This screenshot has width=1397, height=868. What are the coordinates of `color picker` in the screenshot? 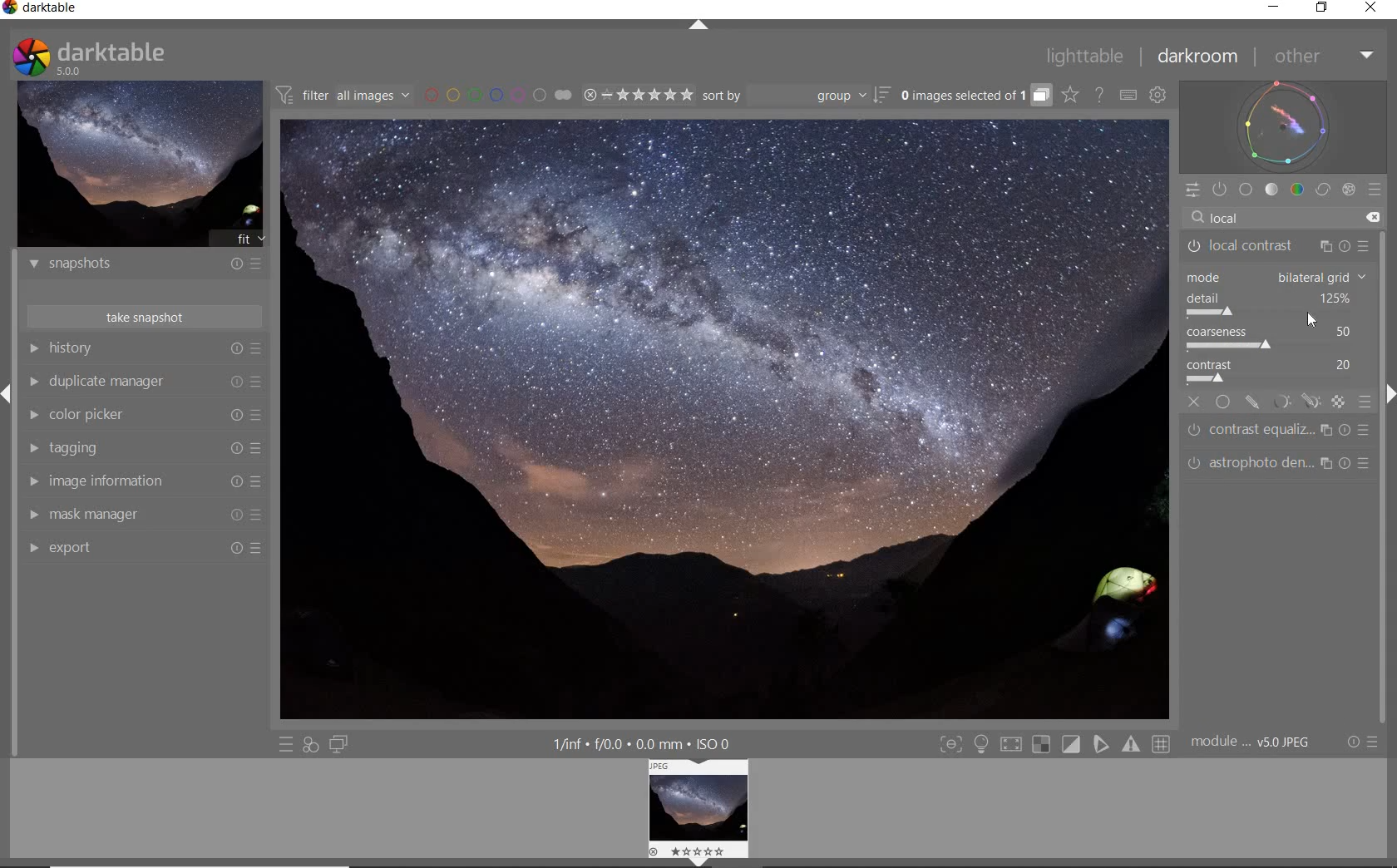 It's located at (96, 414).